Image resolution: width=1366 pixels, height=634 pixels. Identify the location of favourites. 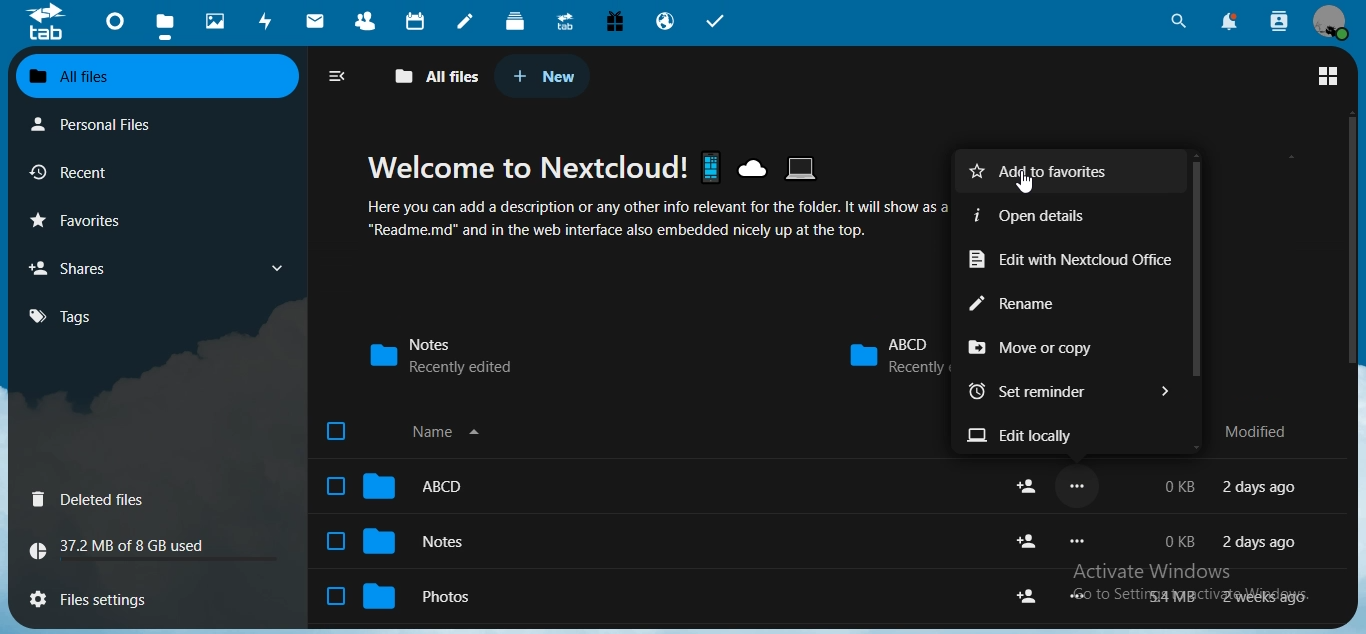
(79, 218).